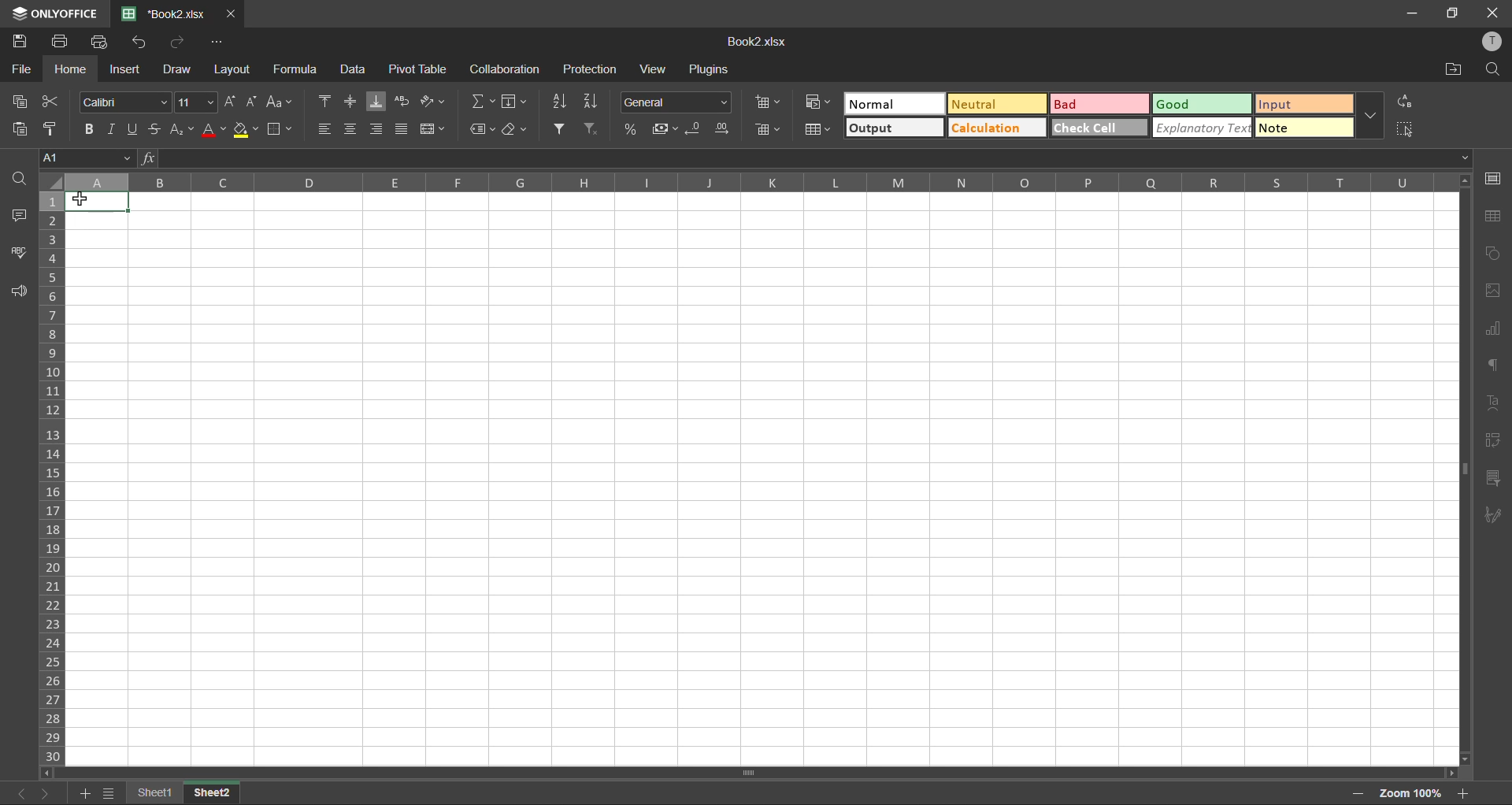 The image size is (1512, 805). I want to click on bed, so click(1098, 106).